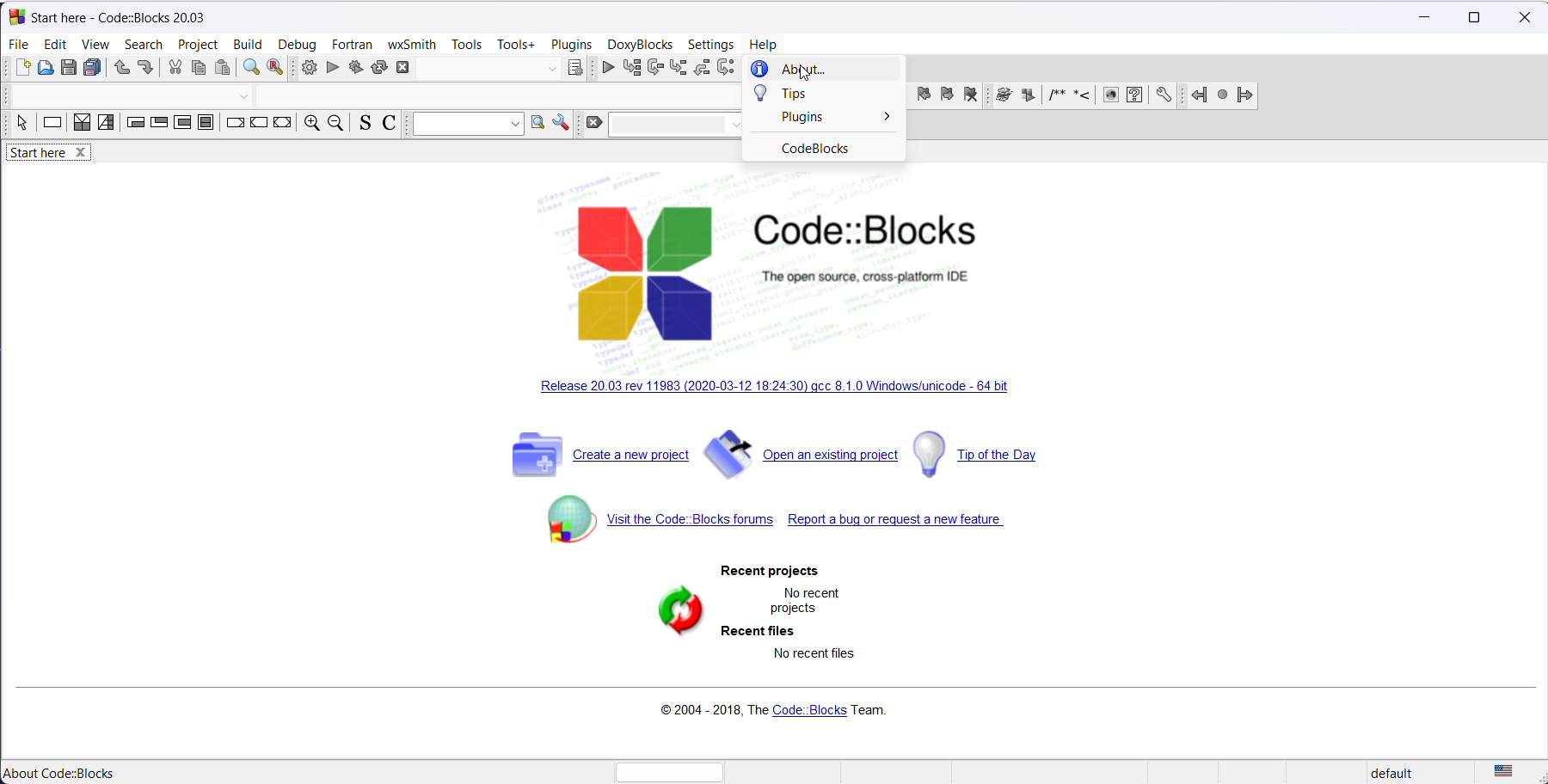 This screenshot has width=1548, height=784. What do you see at coordinates (298, 44) in the screenshot?
I see `debug` at bounding box center [298, 44].